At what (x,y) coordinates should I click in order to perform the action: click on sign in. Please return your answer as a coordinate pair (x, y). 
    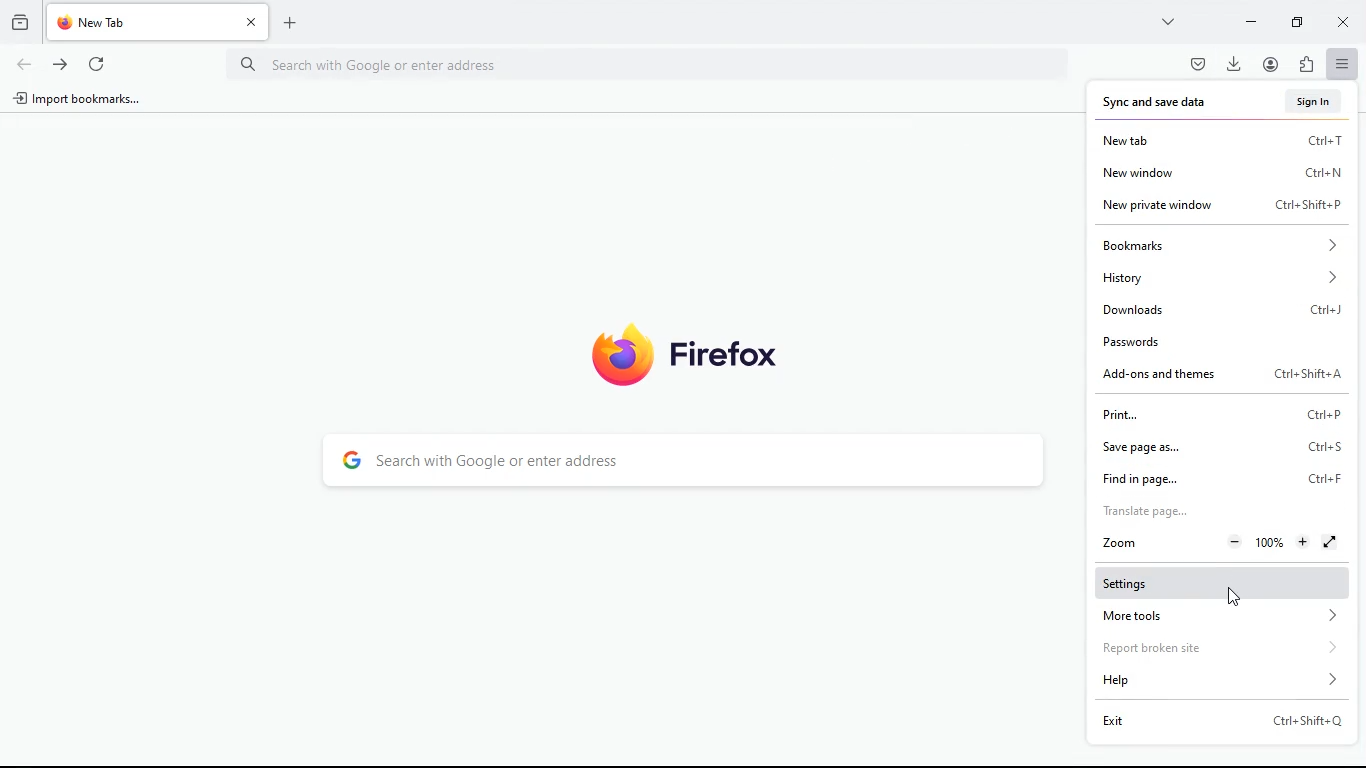
    Looking at the image, I should click on (1317, 101).